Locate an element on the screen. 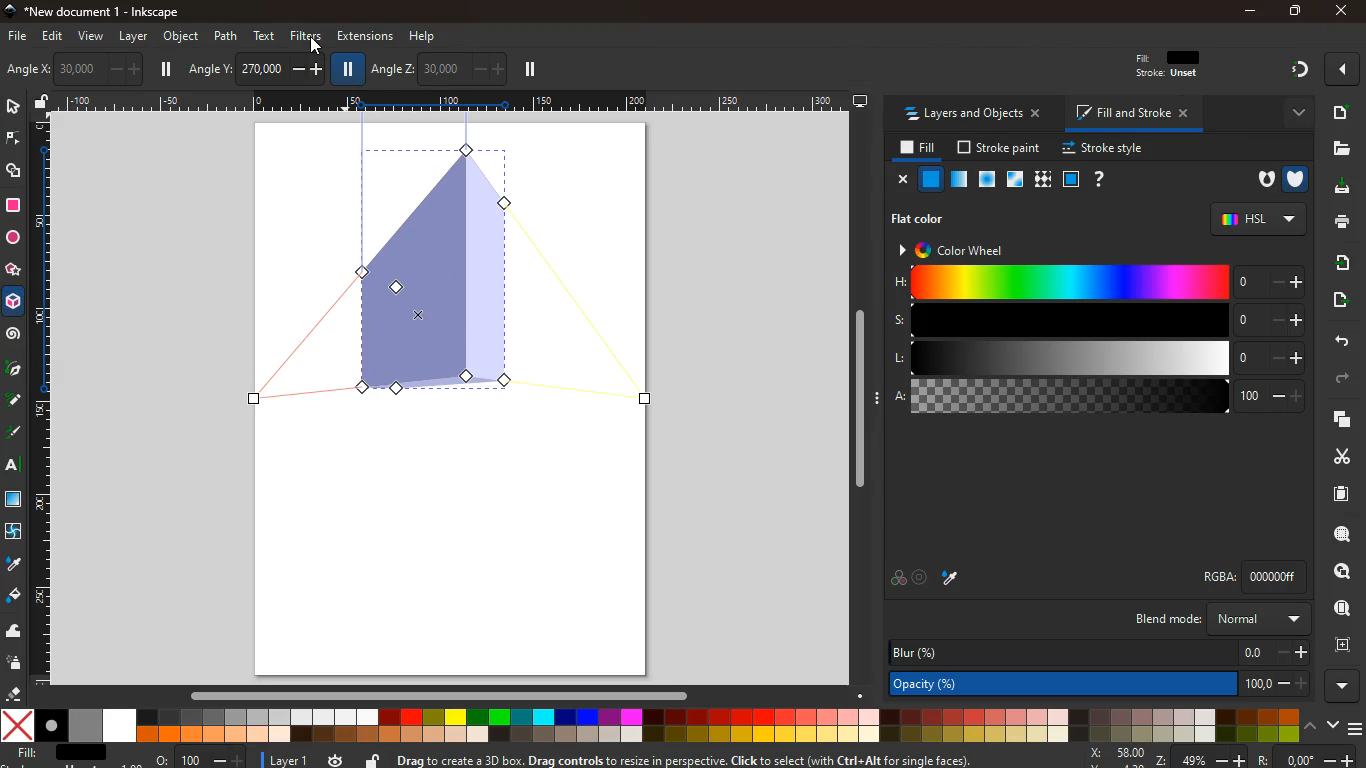 The height and width of the screenshot is (768, 1366). gradient is located at coordinates (1301, 70).